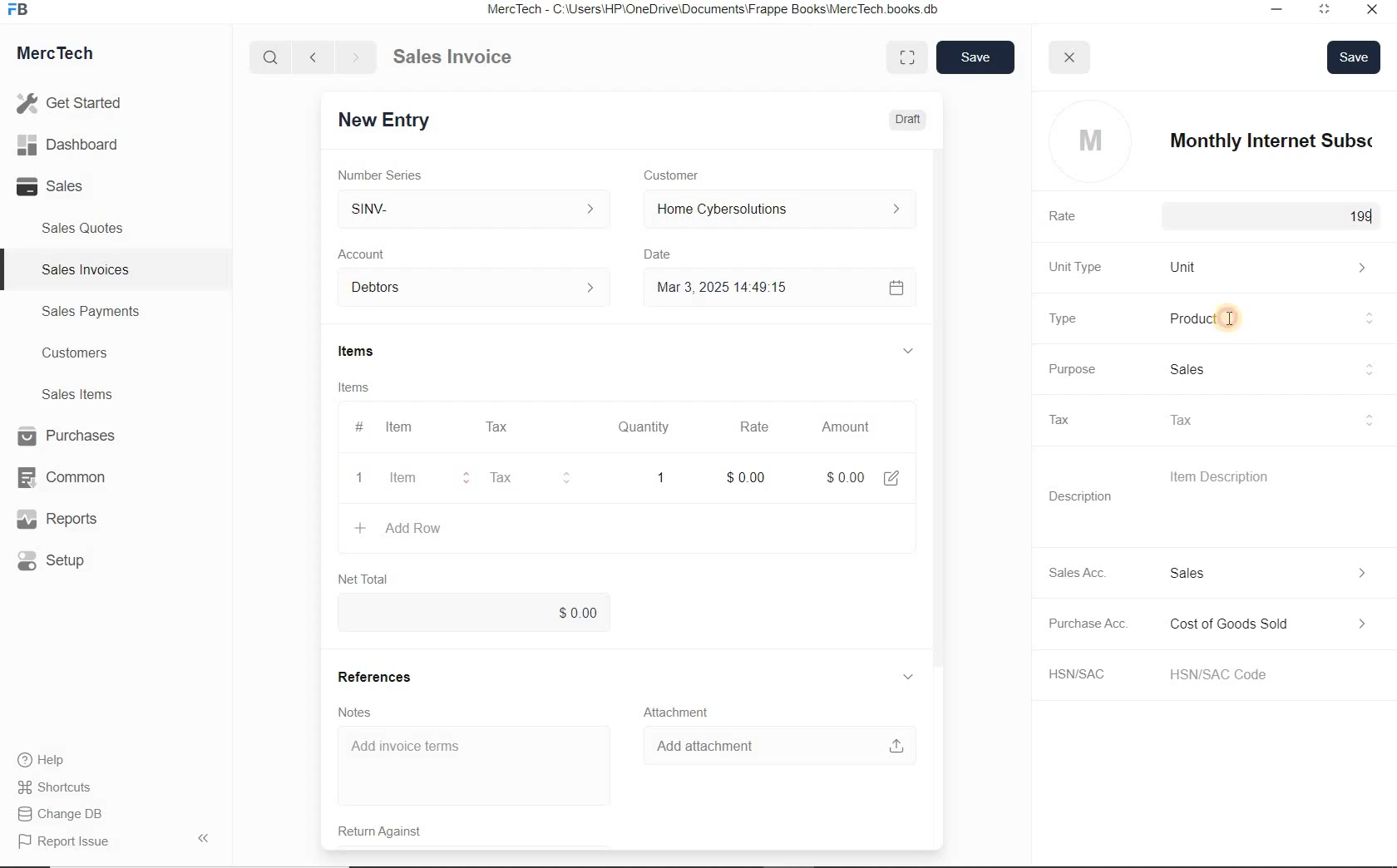 Image resolution: width=1397 pixels, height=868 pixels. I want to click on Close, so click(1370, 12).